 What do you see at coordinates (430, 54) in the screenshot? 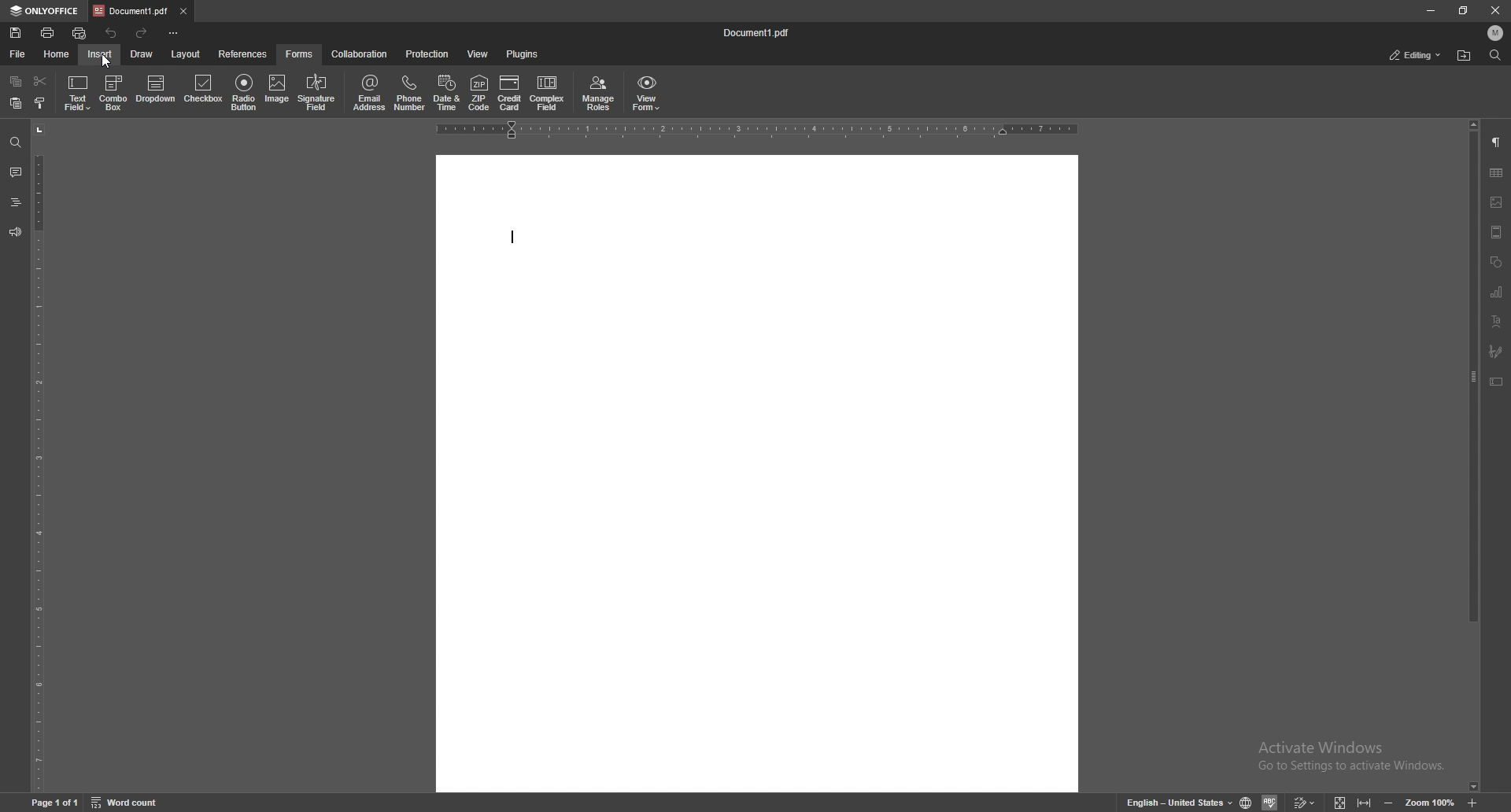
I see `protection` at bounding box center [430, 54].